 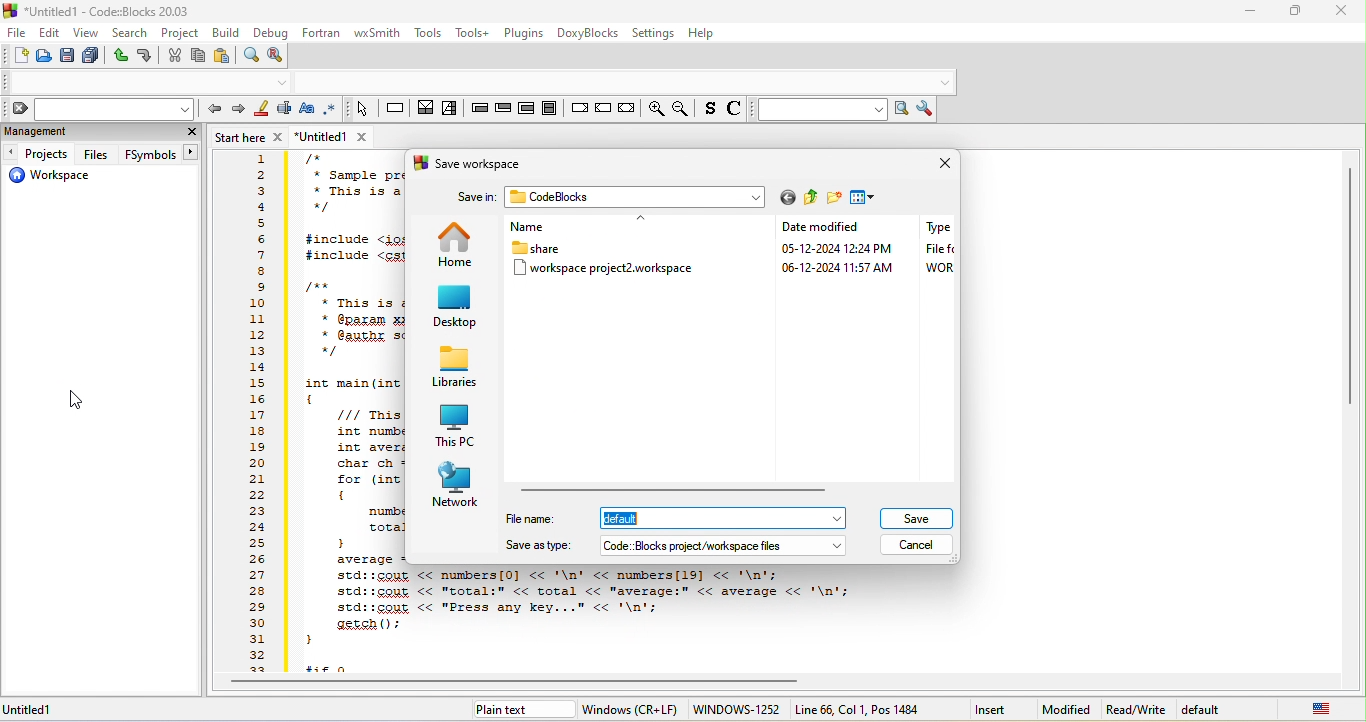 What do you see at coordinates (458, 424) in the screenshot?
I see `this pc` at bounding box center [458, 424].